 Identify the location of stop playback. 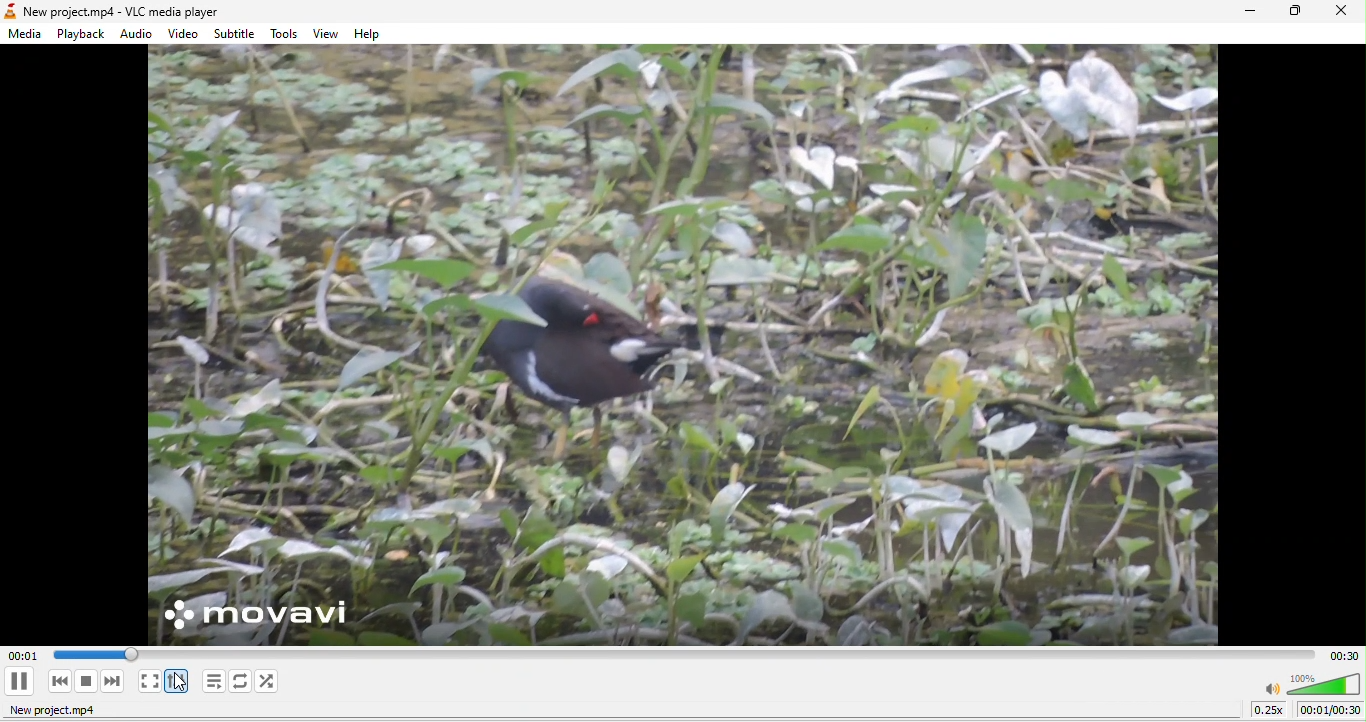
(88, 682).